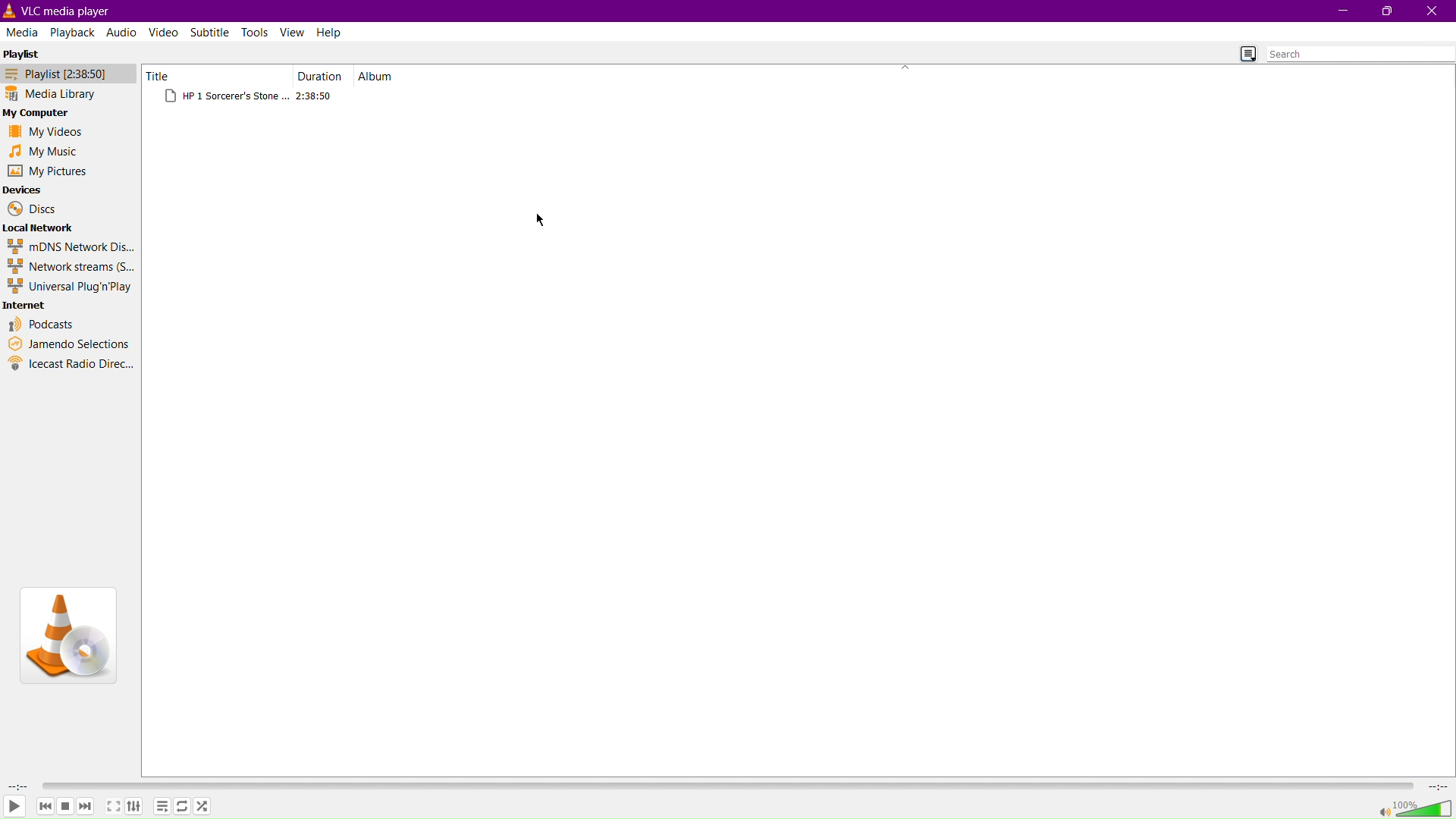  Describe the element at coordinates (27, 52) in the screenshot. I see `Playlist` at that location.